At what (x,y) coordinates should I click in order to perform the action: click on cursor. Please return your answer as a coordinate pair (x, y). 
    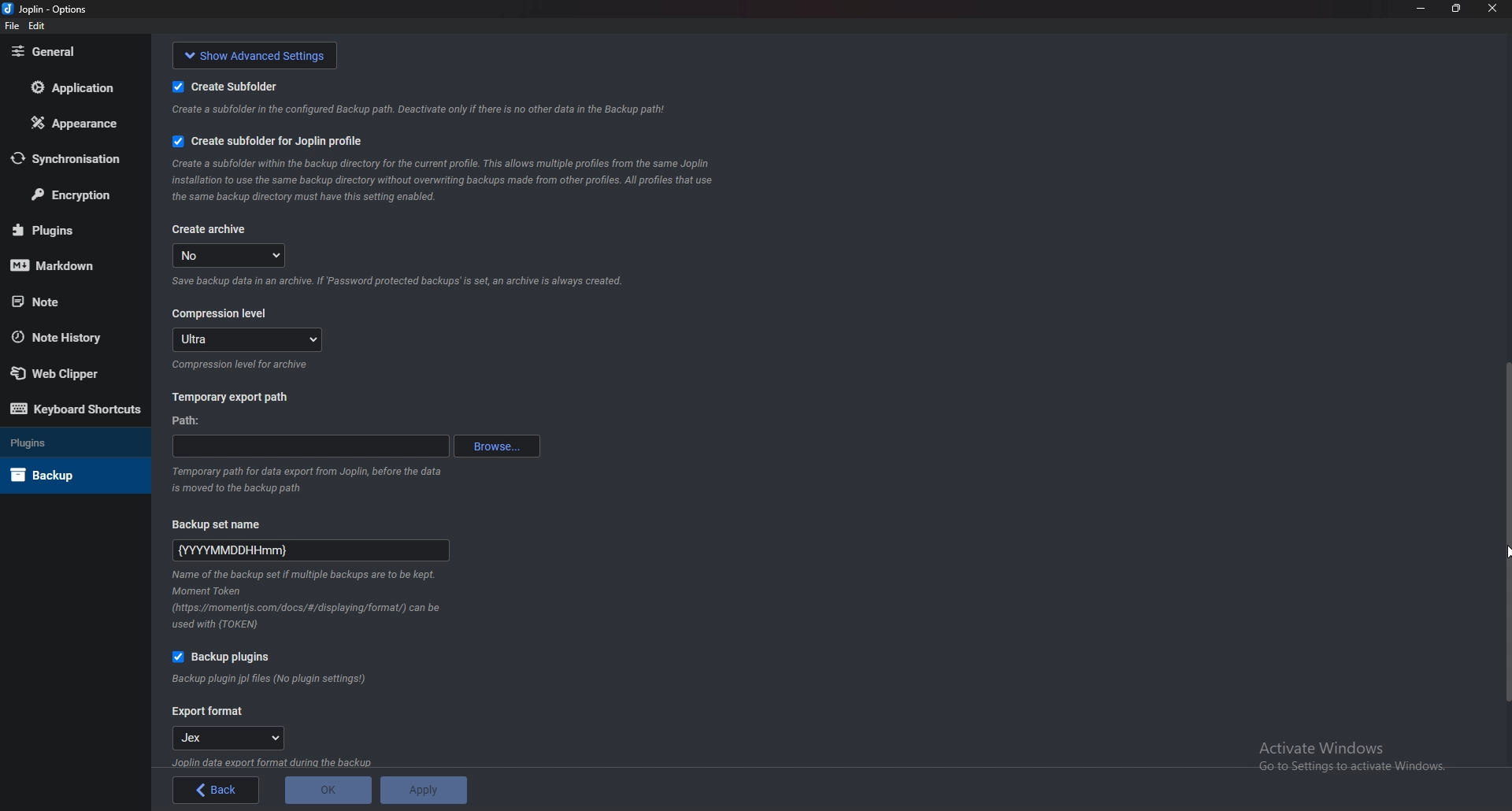
    Looking at the image, I should click on (1507, 550).